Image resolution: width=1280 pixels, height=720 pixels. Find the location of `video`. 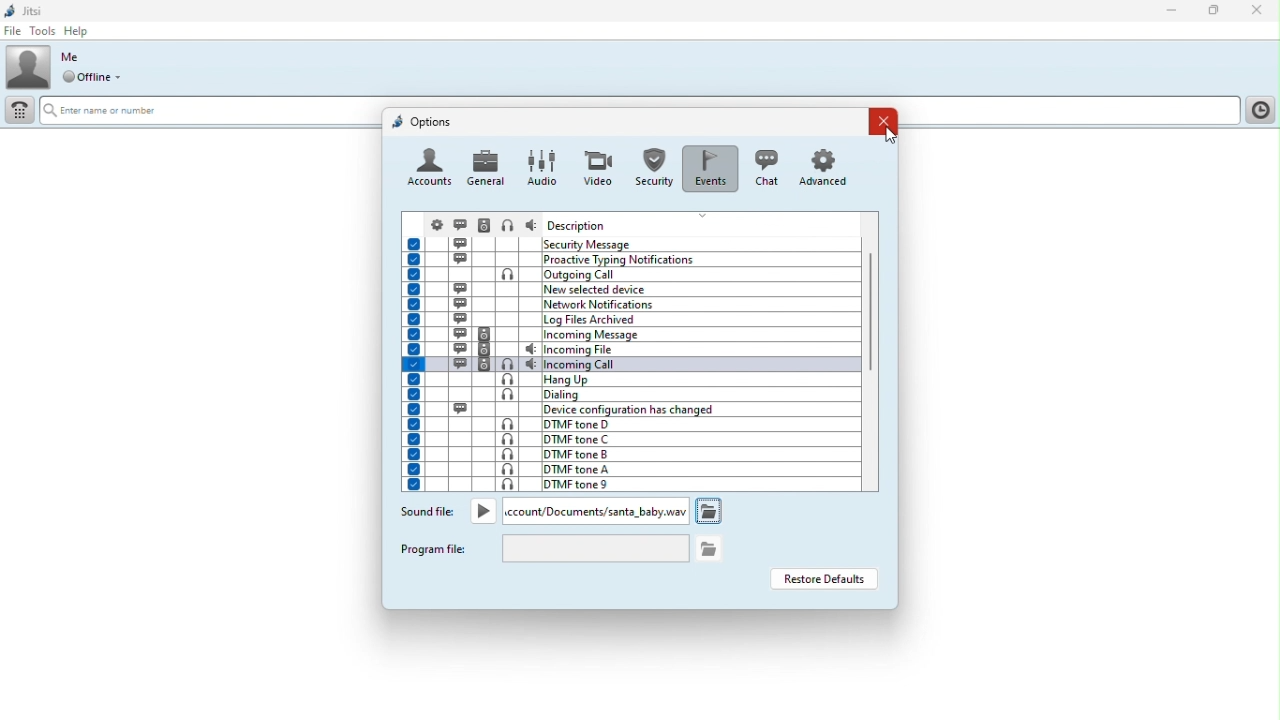

video is located at coordinates (600, 166).